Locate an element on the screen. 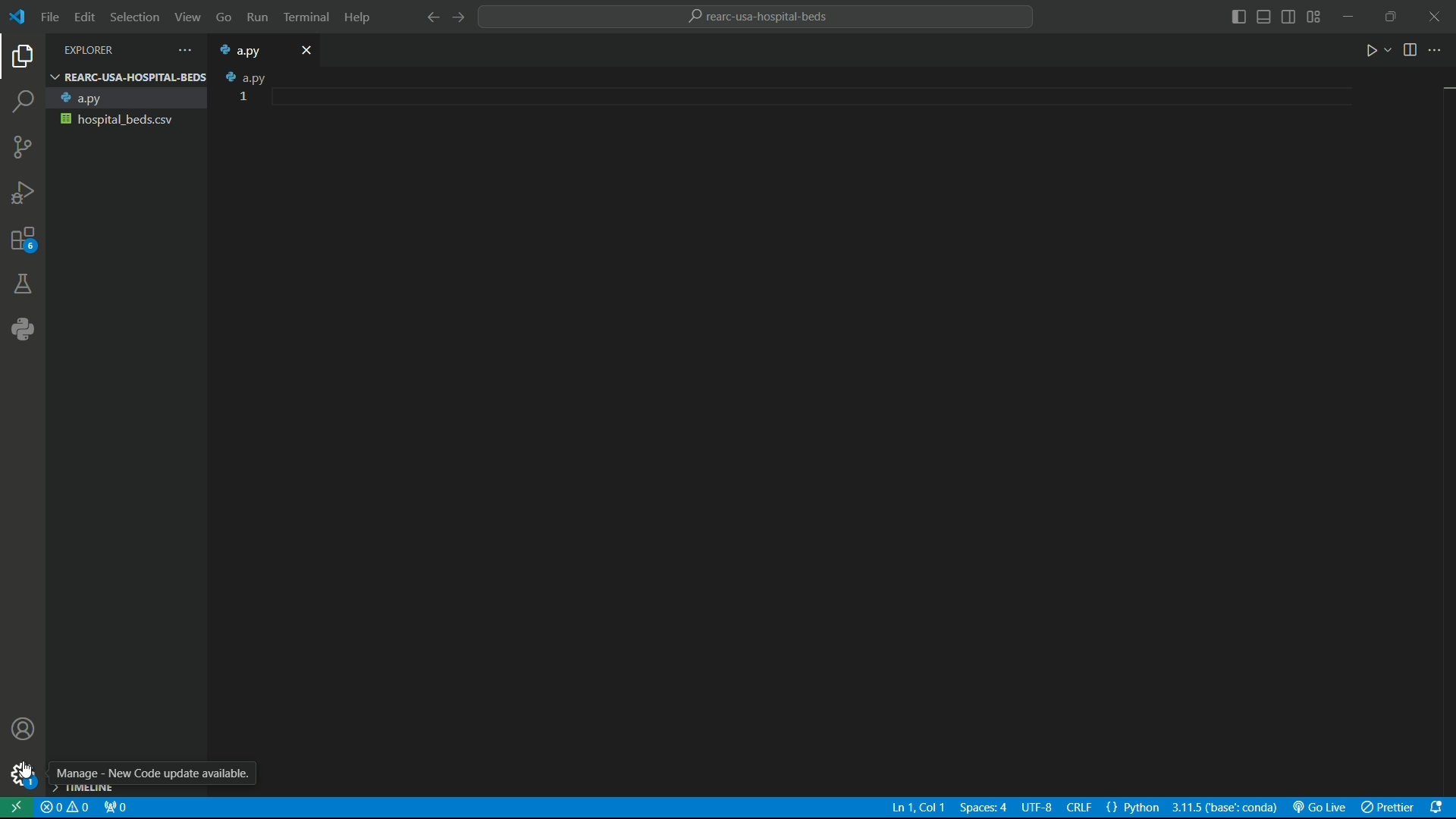 This screenshot has width=1456, height=819. Ln 1, Col 1 is located at coordinates (918, 808).